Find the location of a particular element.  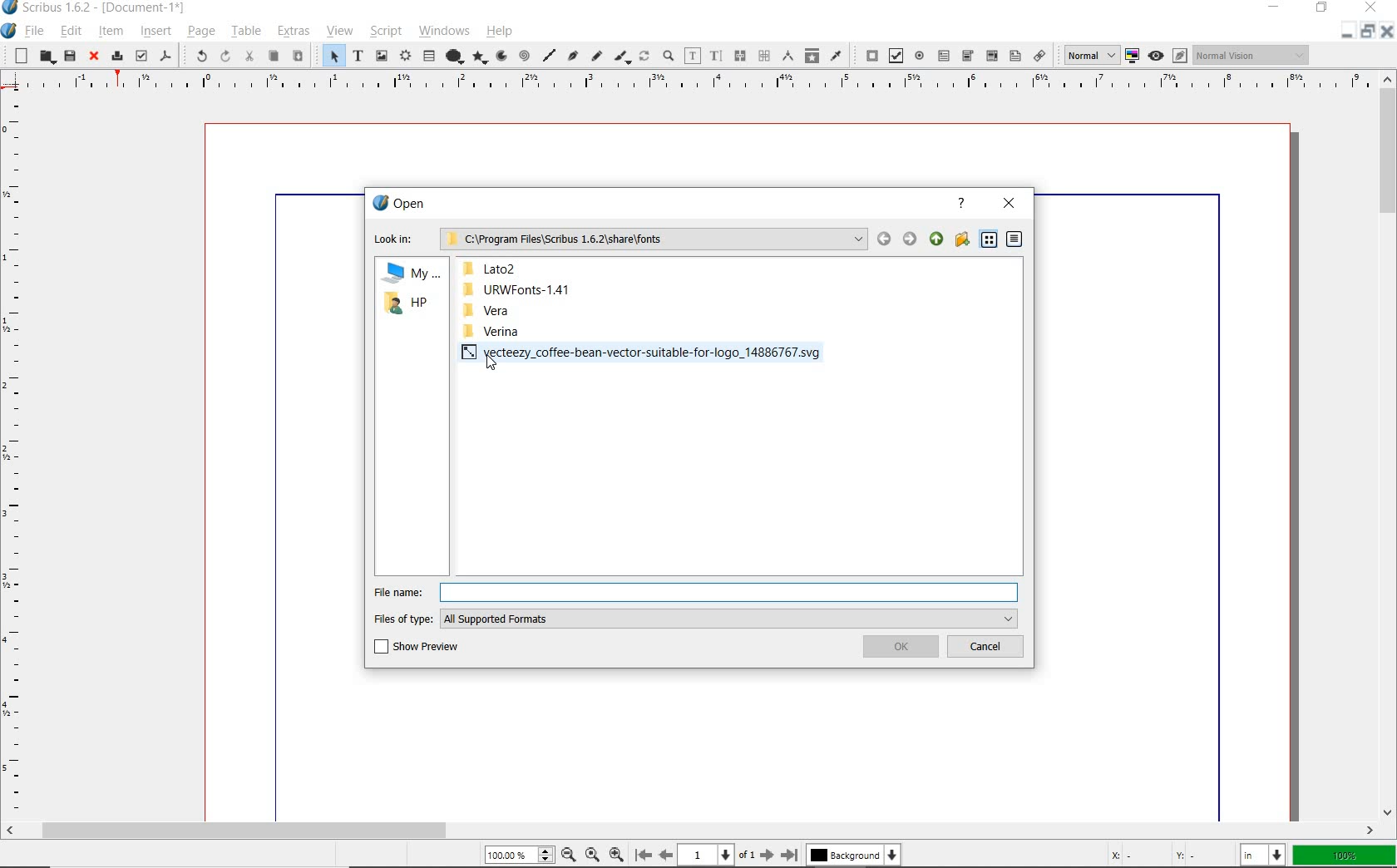

save as pdf is located at coordinates (163, 57).